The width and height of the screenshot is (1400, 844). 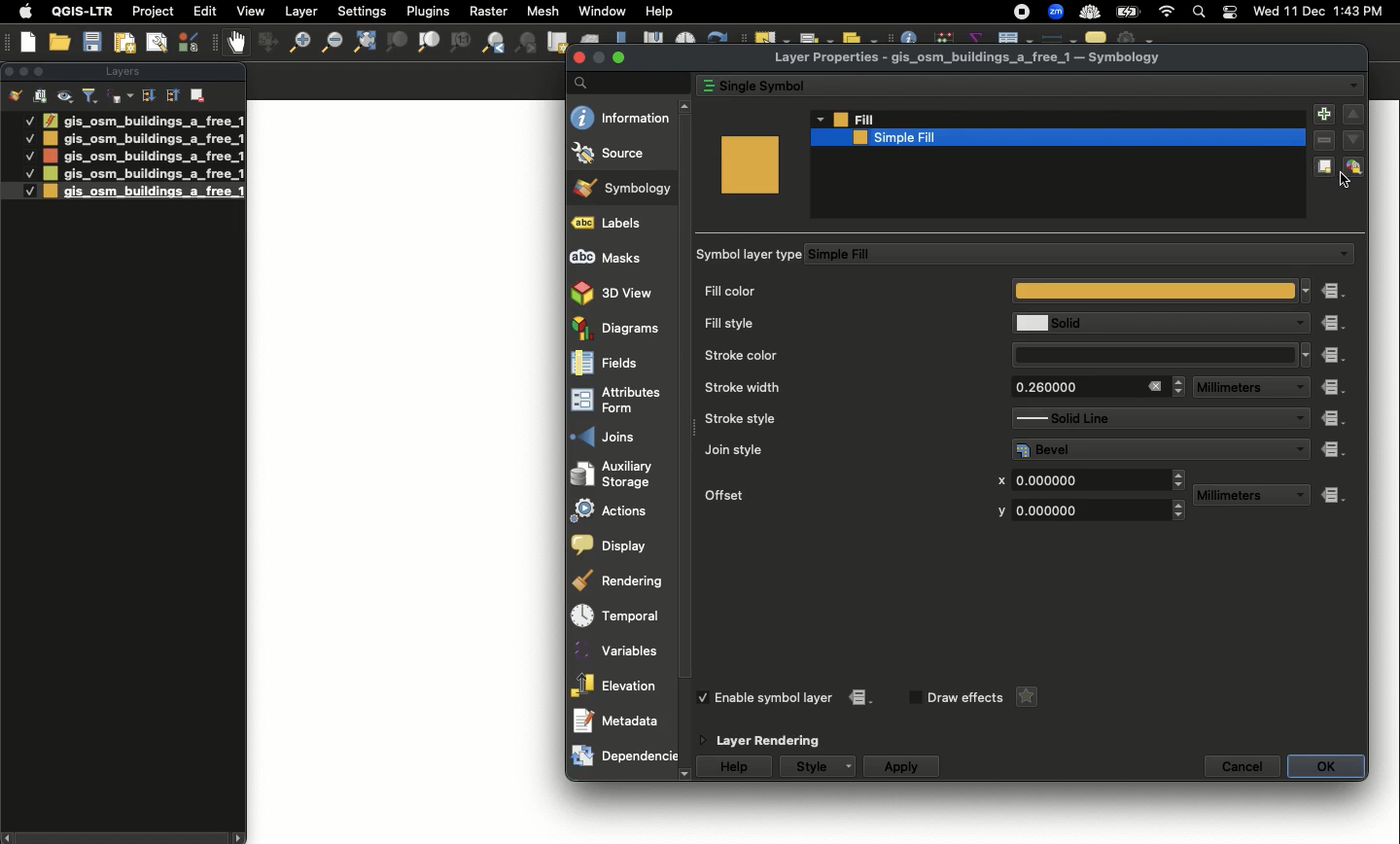 What do you see at coordinates (617, 580) in the screenshot?
I see `Rendering` at bounding box center [617, 580].